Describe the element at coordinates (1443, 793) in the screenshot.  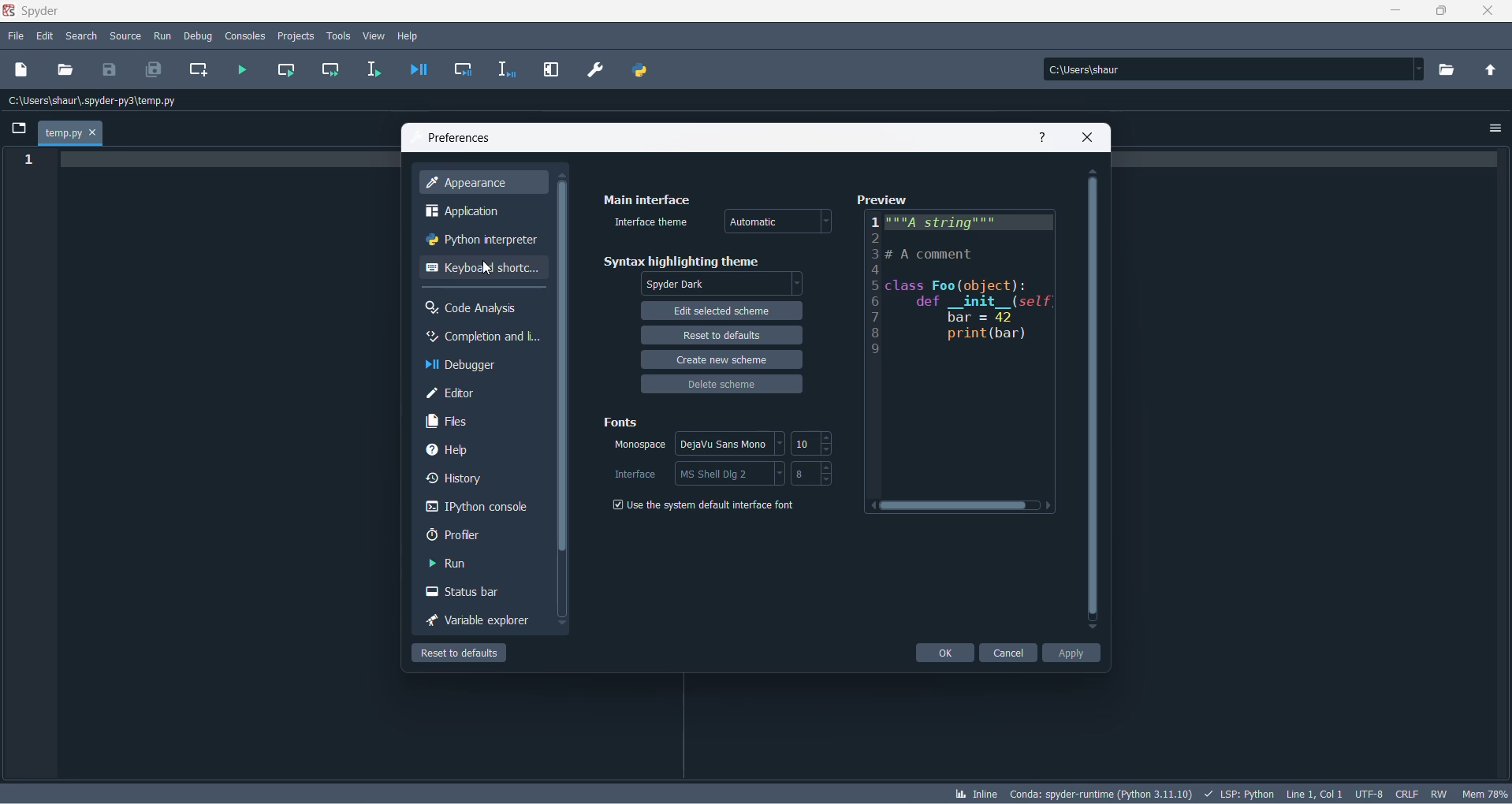
I see `file control` at that location.